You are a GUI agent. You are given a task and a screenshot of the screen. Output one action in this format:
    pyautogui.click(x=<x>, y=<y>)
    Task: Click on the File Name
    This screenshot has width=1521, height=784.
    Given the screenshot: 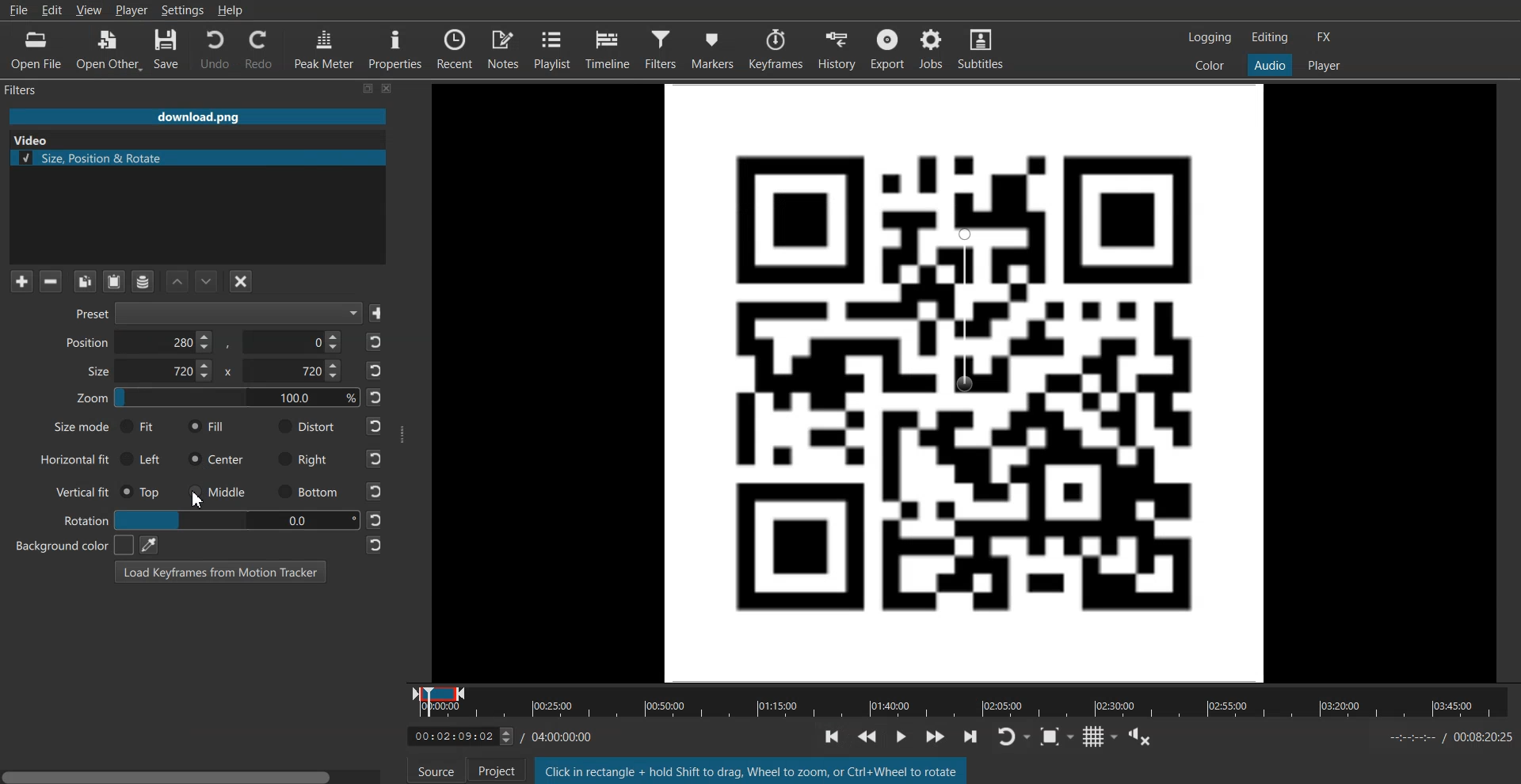 What is the action you would take?
    pyautogui.click(x=197, y=116)
    